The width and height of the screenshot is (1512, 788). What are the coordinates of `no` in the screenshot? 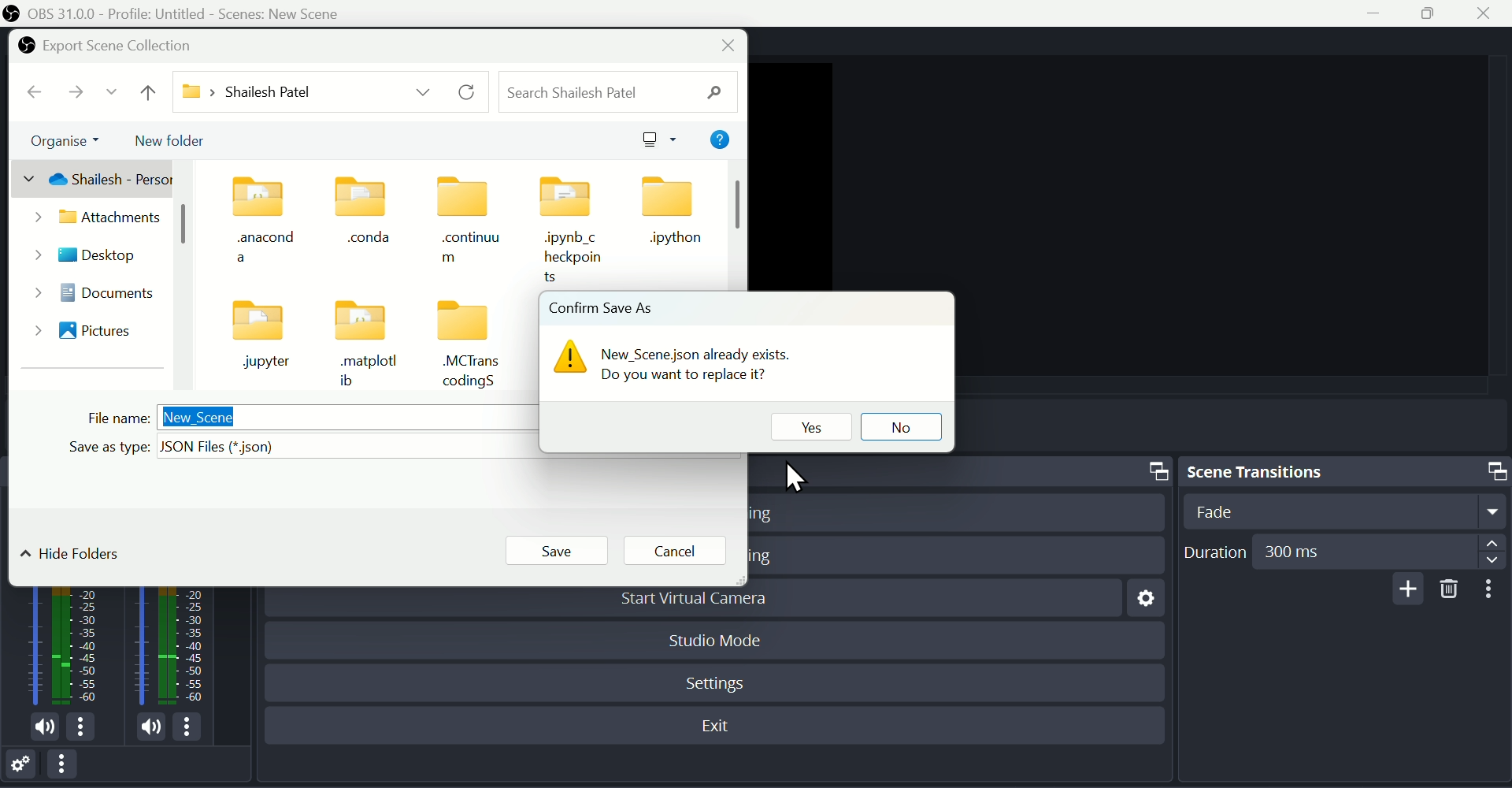 It's located at (902, 422).